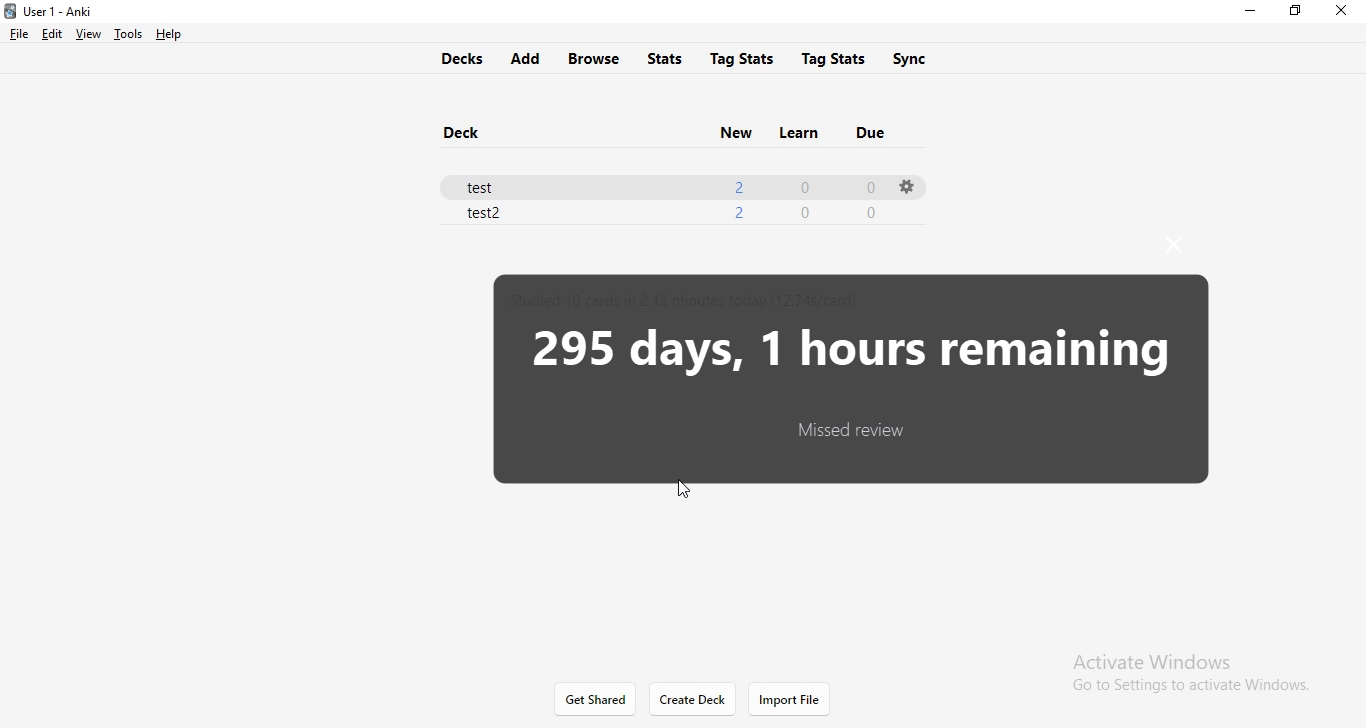 Image resolution: width=1366 pixels, height=728 pixels. Describe the element at coordinates (737, 184) in the screenshot. I see `2` at that location.